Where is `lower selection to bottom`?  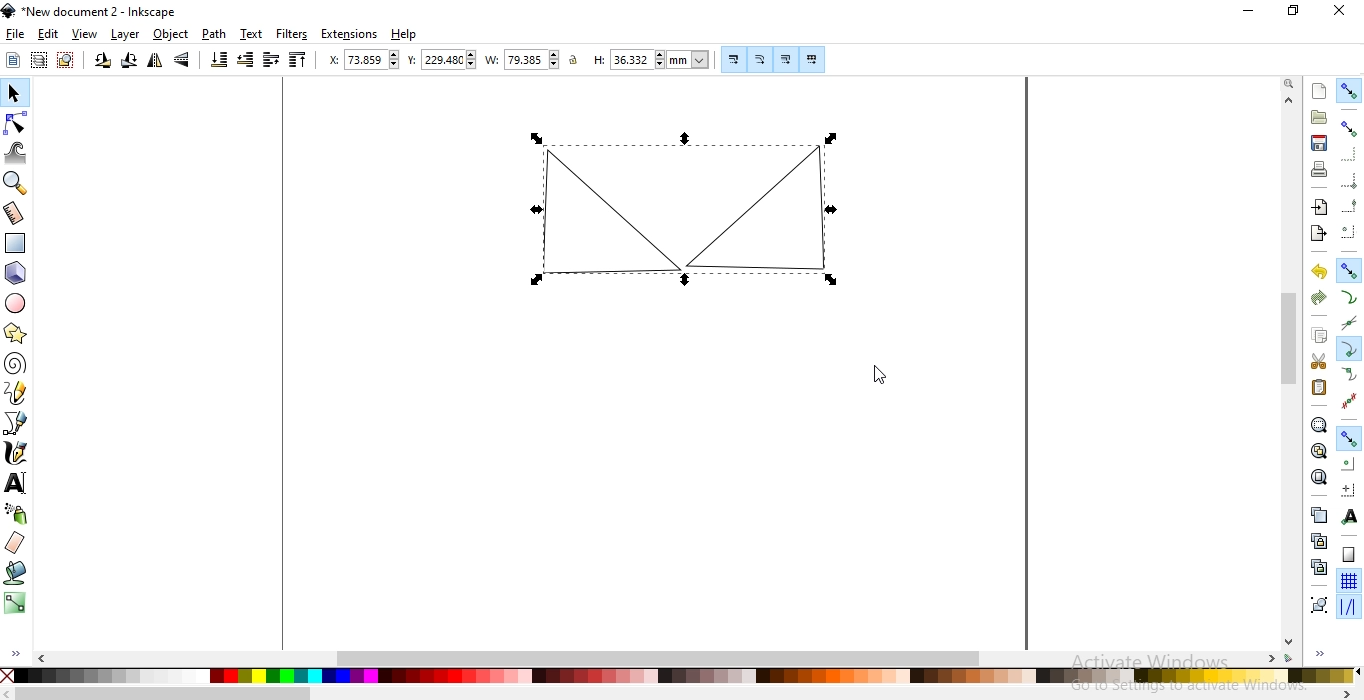 lower selection to bottom is located at coordinates (218, 62).